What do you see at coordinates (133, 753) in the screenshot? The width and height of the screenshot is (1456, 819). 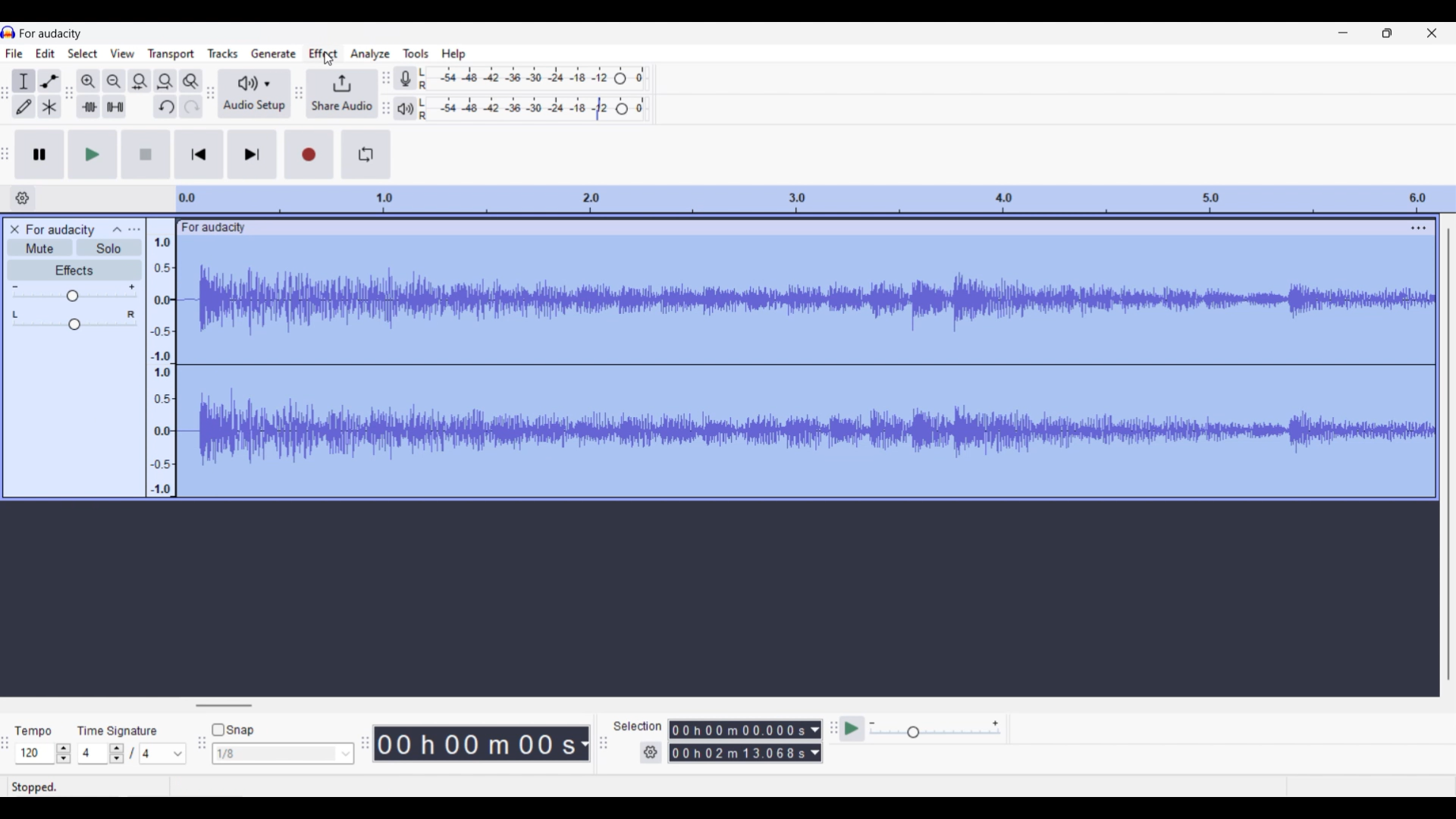 I see `Time signature settings` at bounding box center [133, 753].